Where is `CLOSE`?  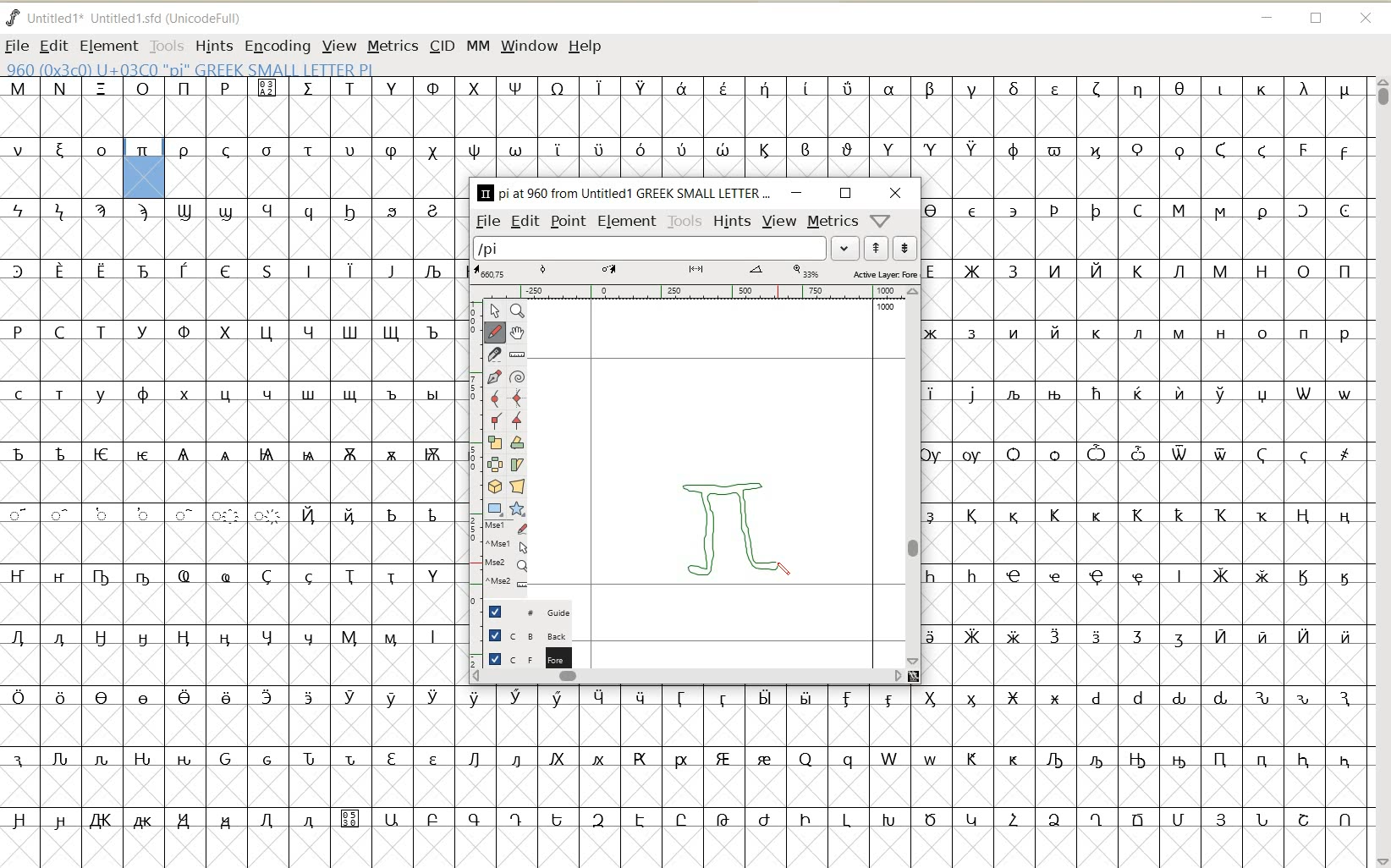
CLOSE is located at coordinates (1369, 19).